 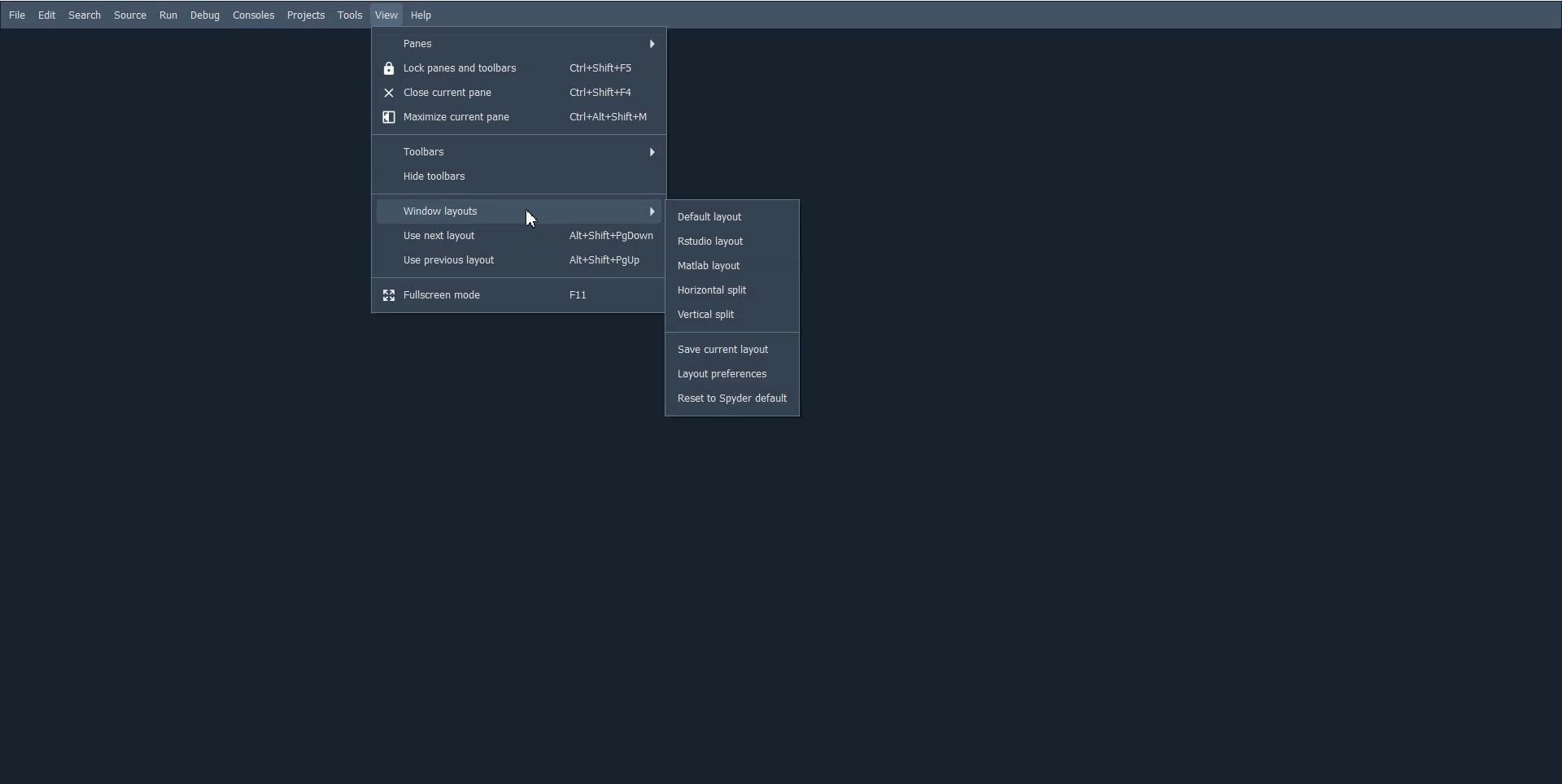 I want to click on cursor, so click(x=533, y=218).